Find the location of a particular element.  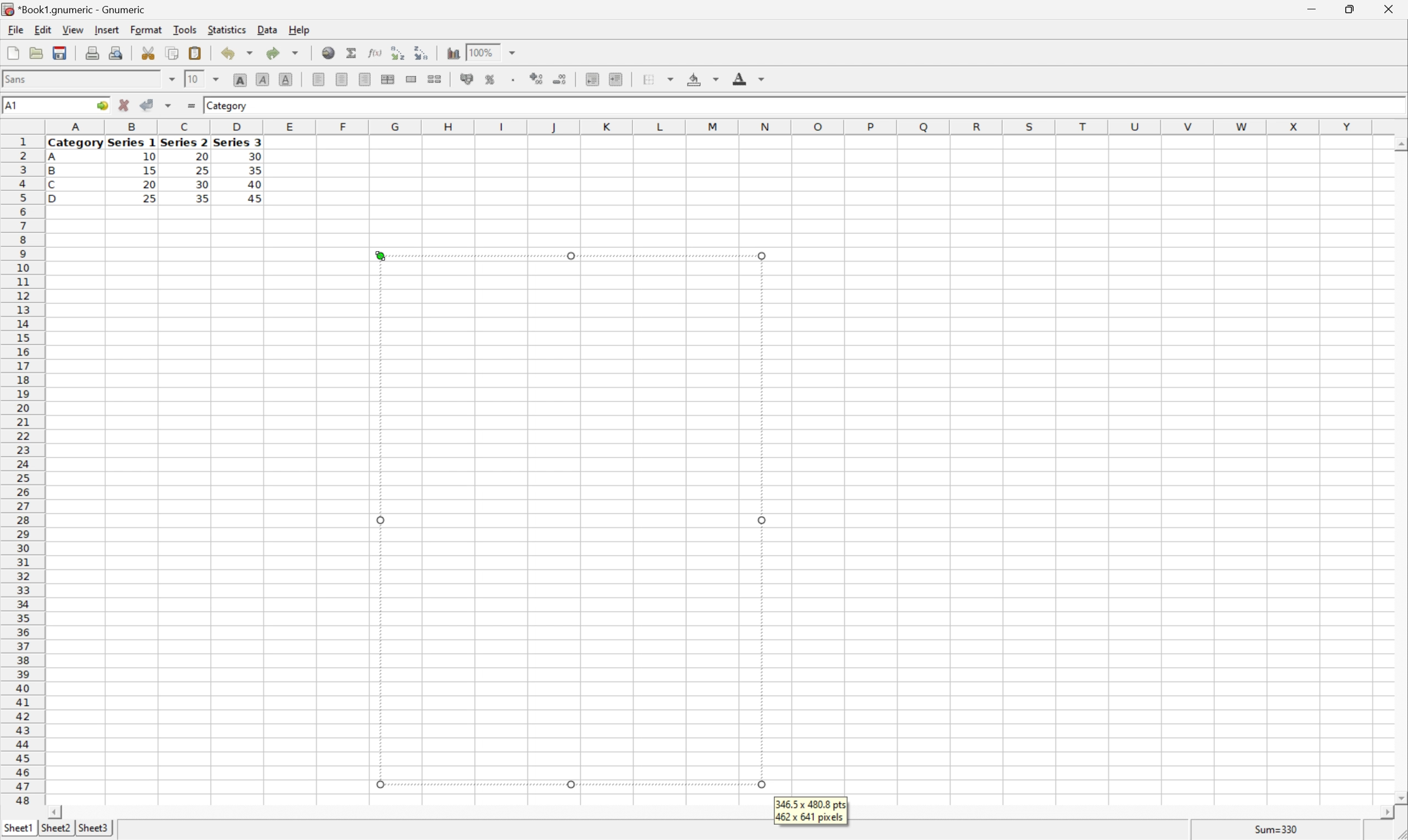

View is located at coordinates (73, 29).